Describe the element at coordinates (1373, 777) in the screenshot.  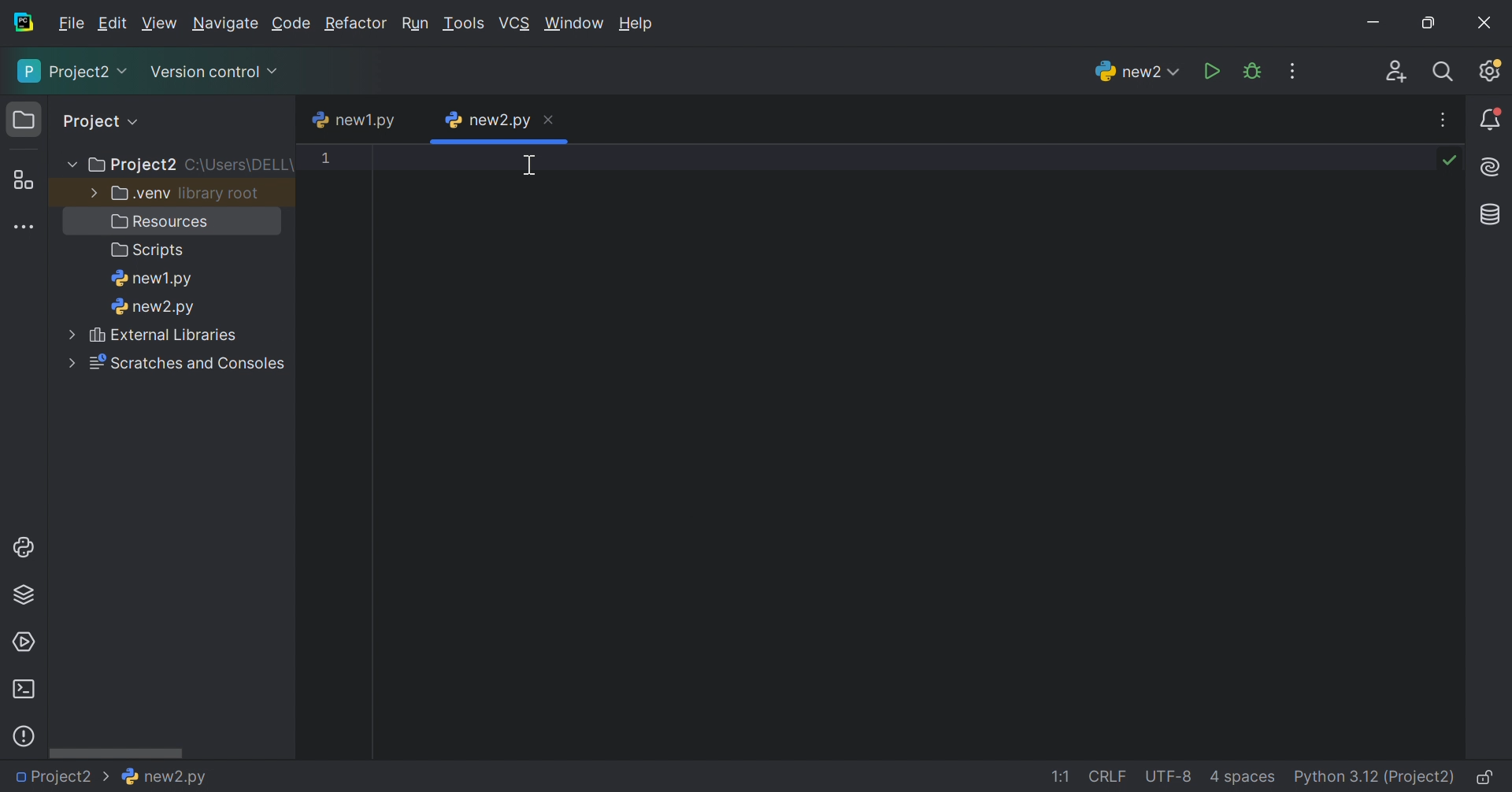
I see `Python 3.12 (Project2)` at that location.